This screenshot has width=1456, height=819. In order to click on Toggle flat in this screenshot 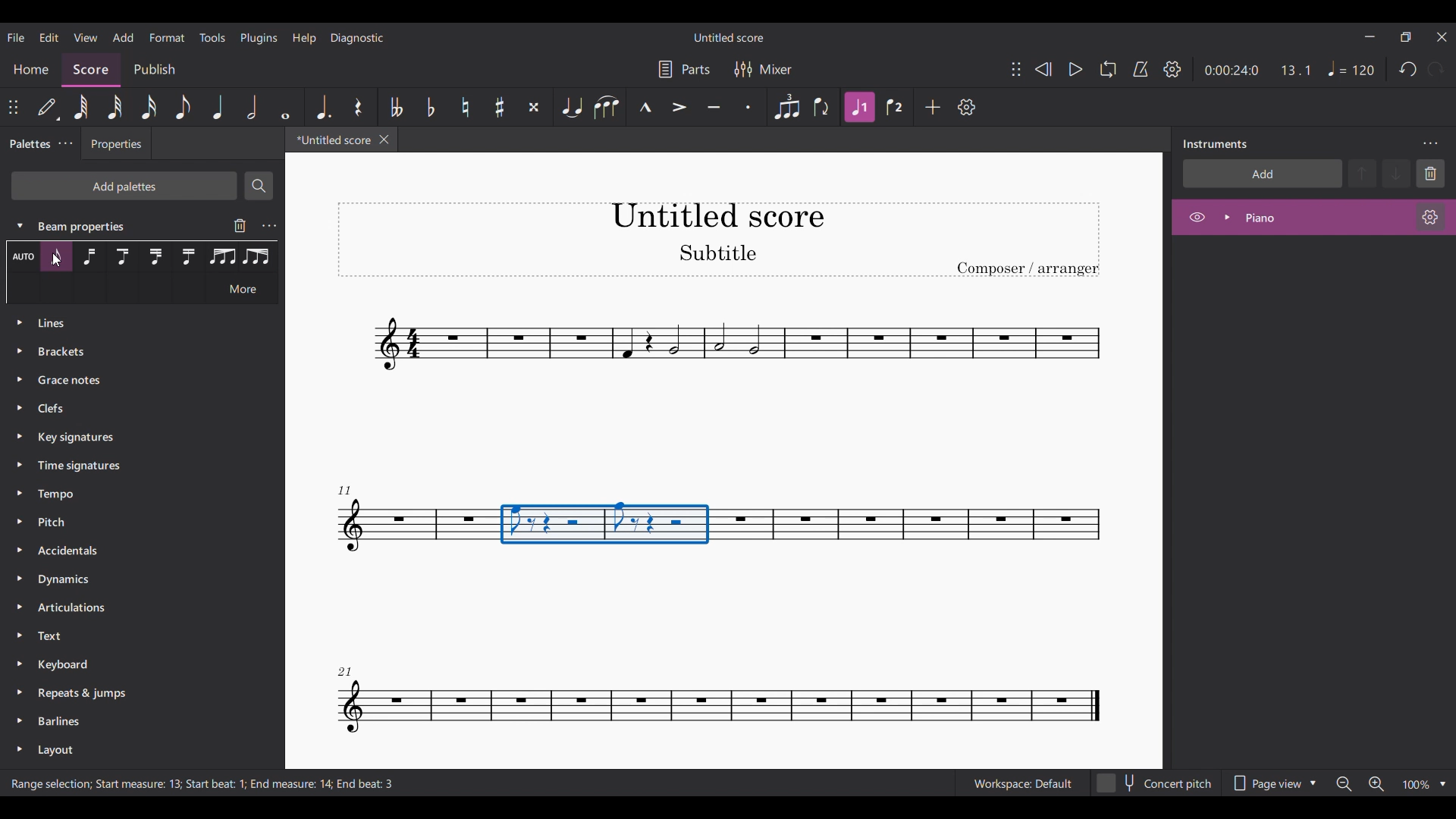, I will do `click(431, 107)`.